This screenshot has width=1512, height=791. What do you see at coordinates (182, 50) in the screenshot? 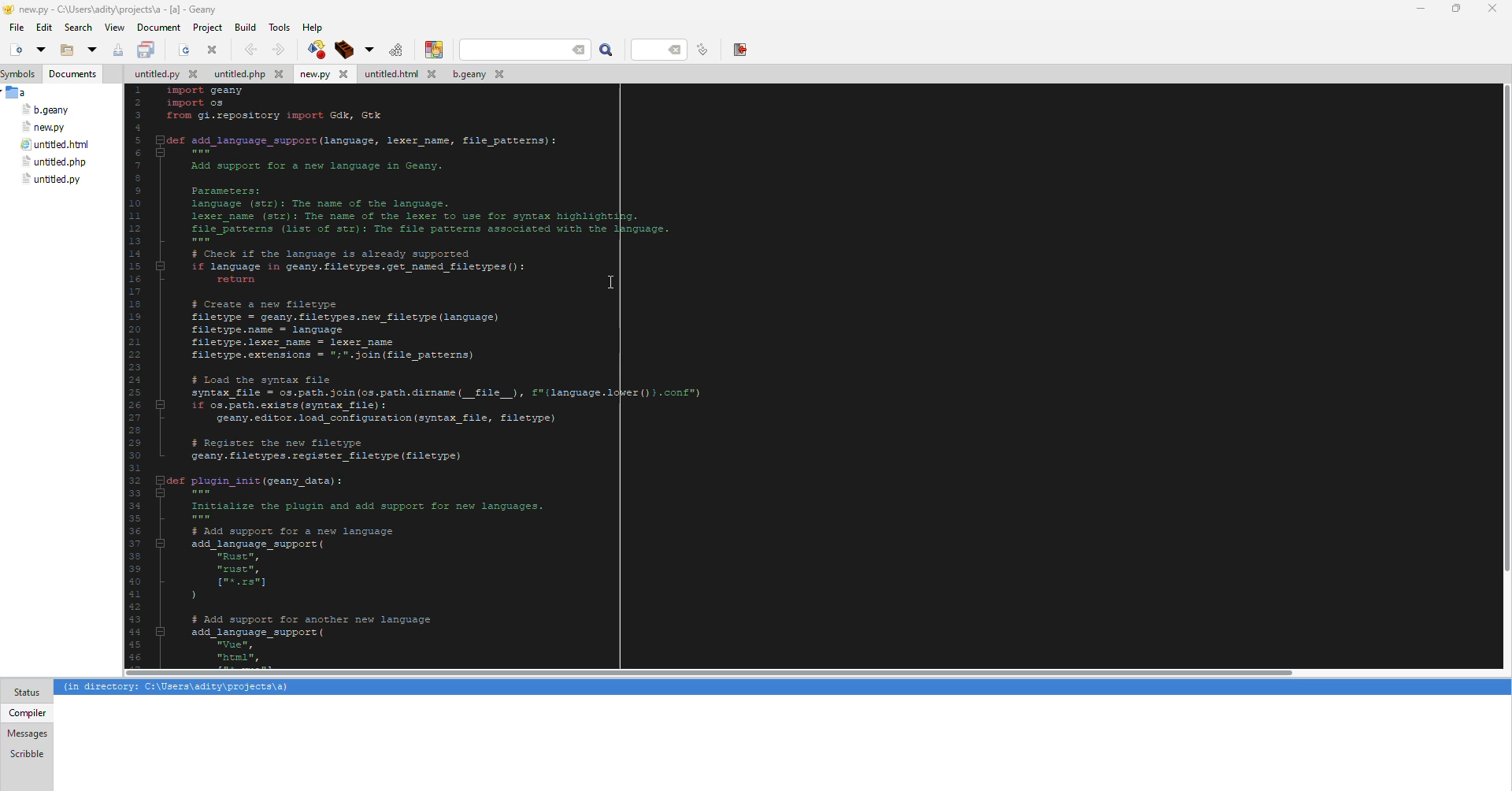
I see `open` at bounding box center [182, 50].